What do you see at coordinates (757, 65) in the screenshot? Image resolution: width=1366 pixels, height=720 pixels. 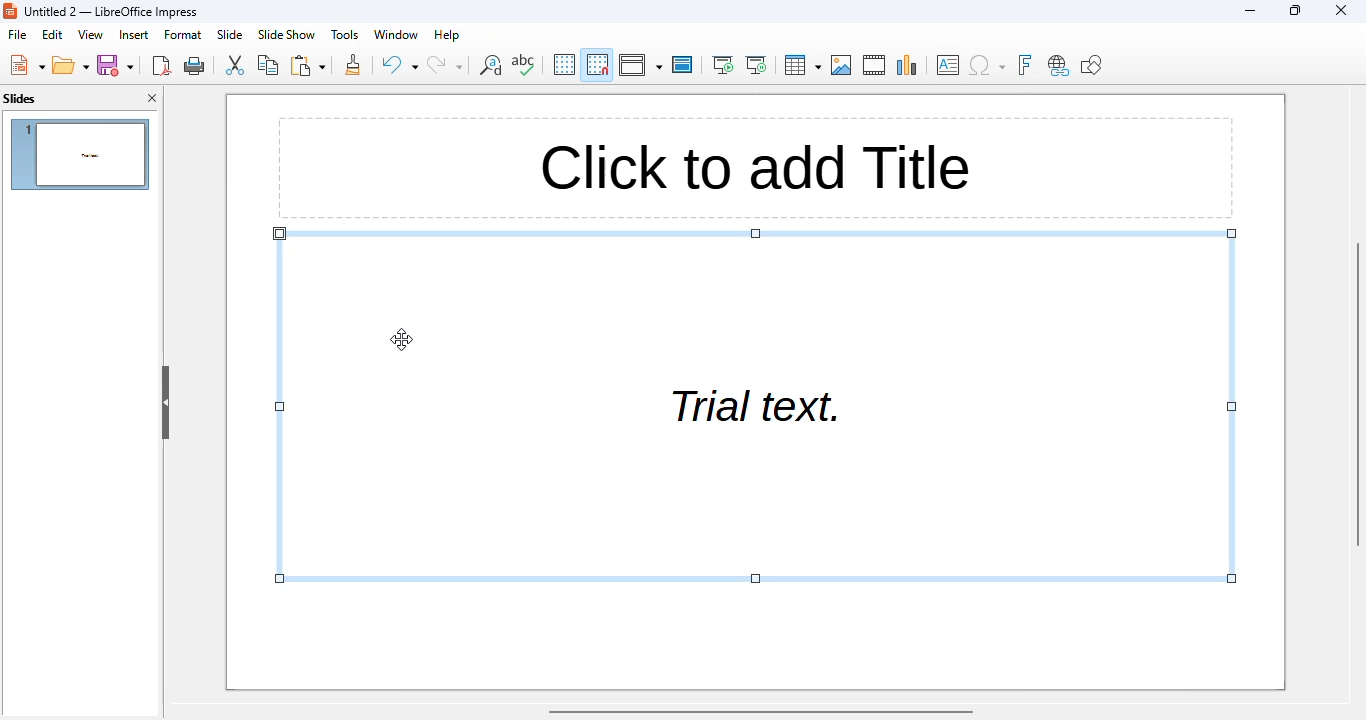 I see `start from current slide` at bounding box center [757, 65].